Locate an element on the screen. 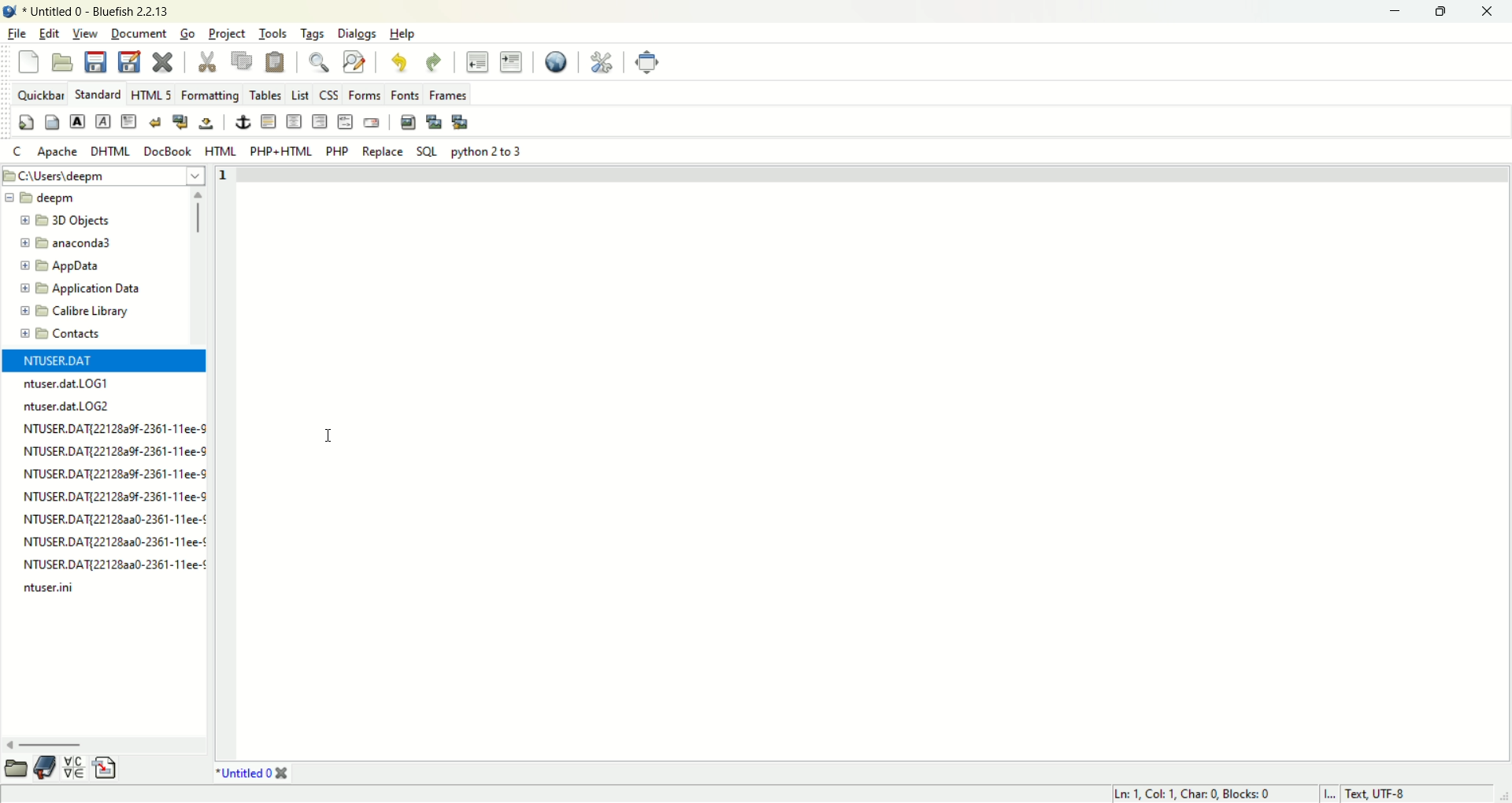 This screenshot has height=803, width=1512. standard is located at coordinates (98, 94).